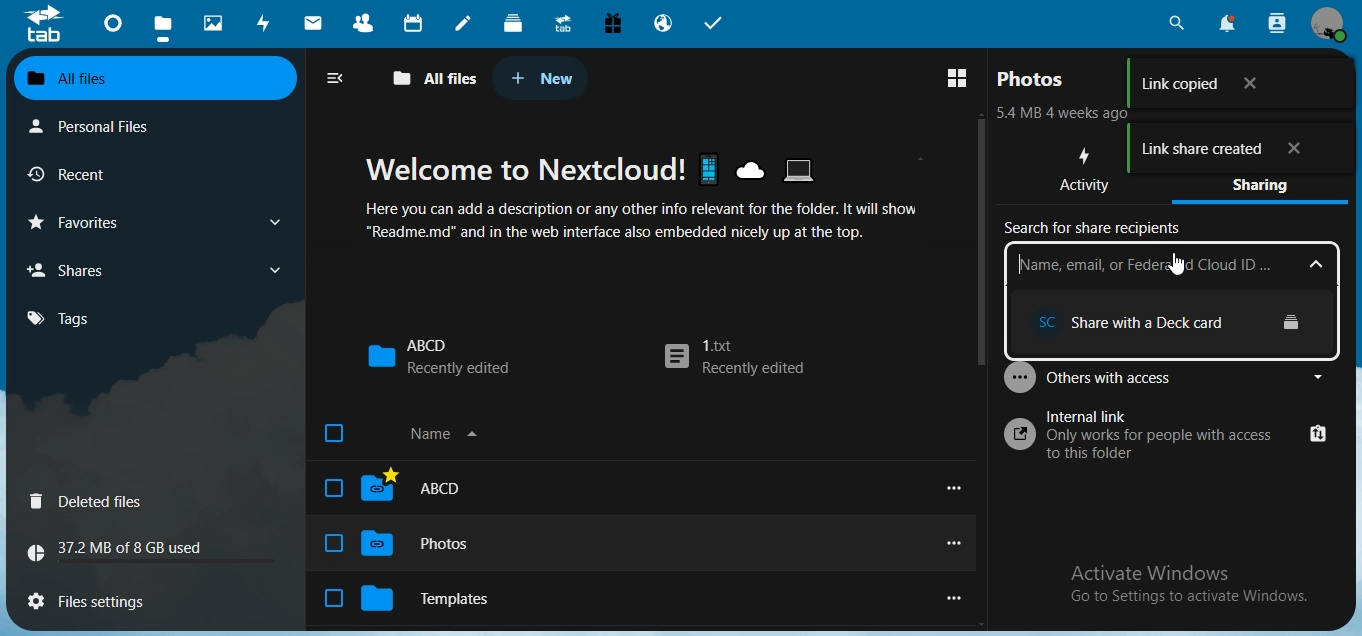  Describe the element at coordinates (449, 600) in the screenshot. I see `Templates` at that location.